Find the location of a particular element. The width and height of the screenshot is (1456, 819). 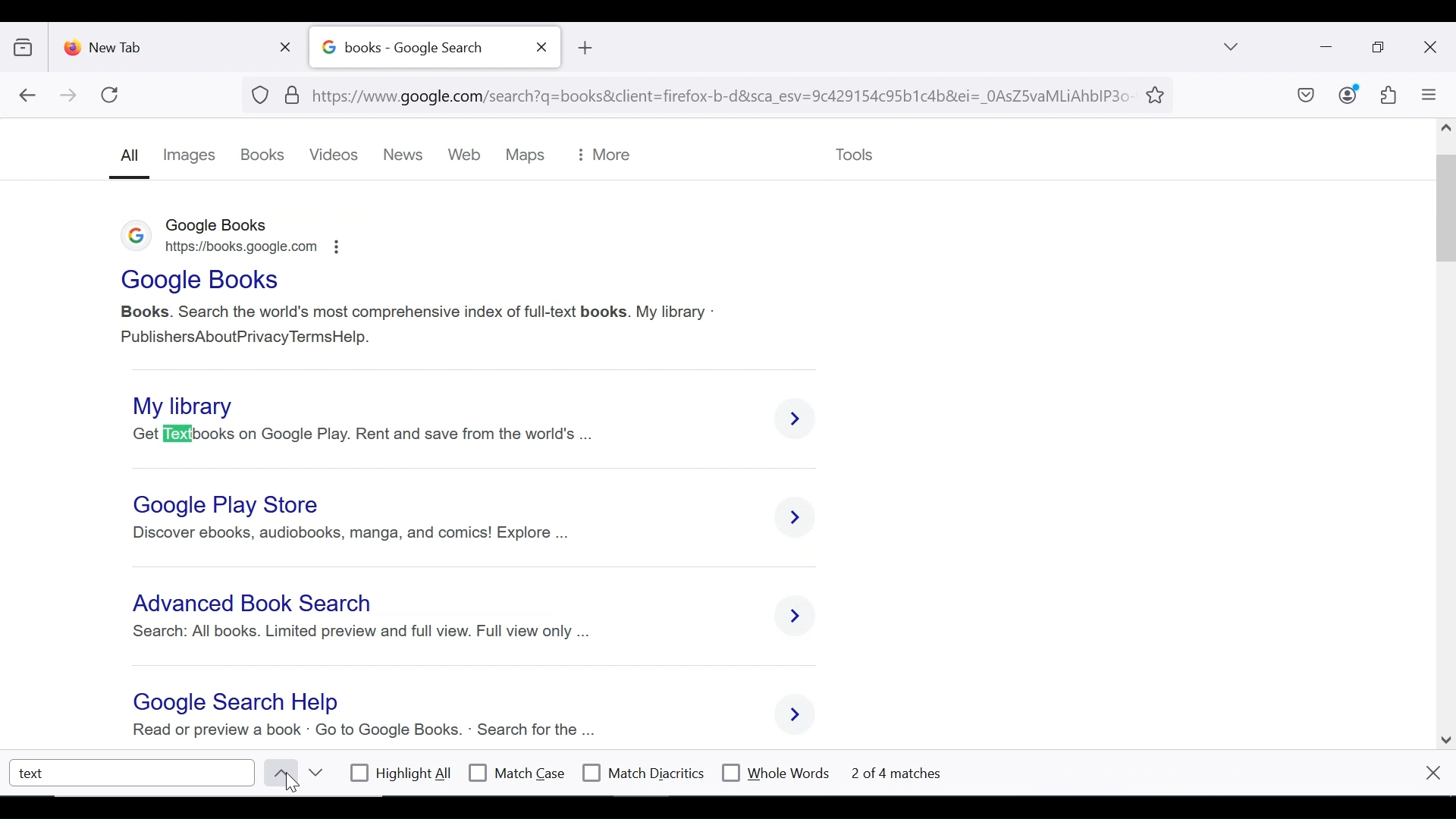

back is located at coordinates (27, 96).